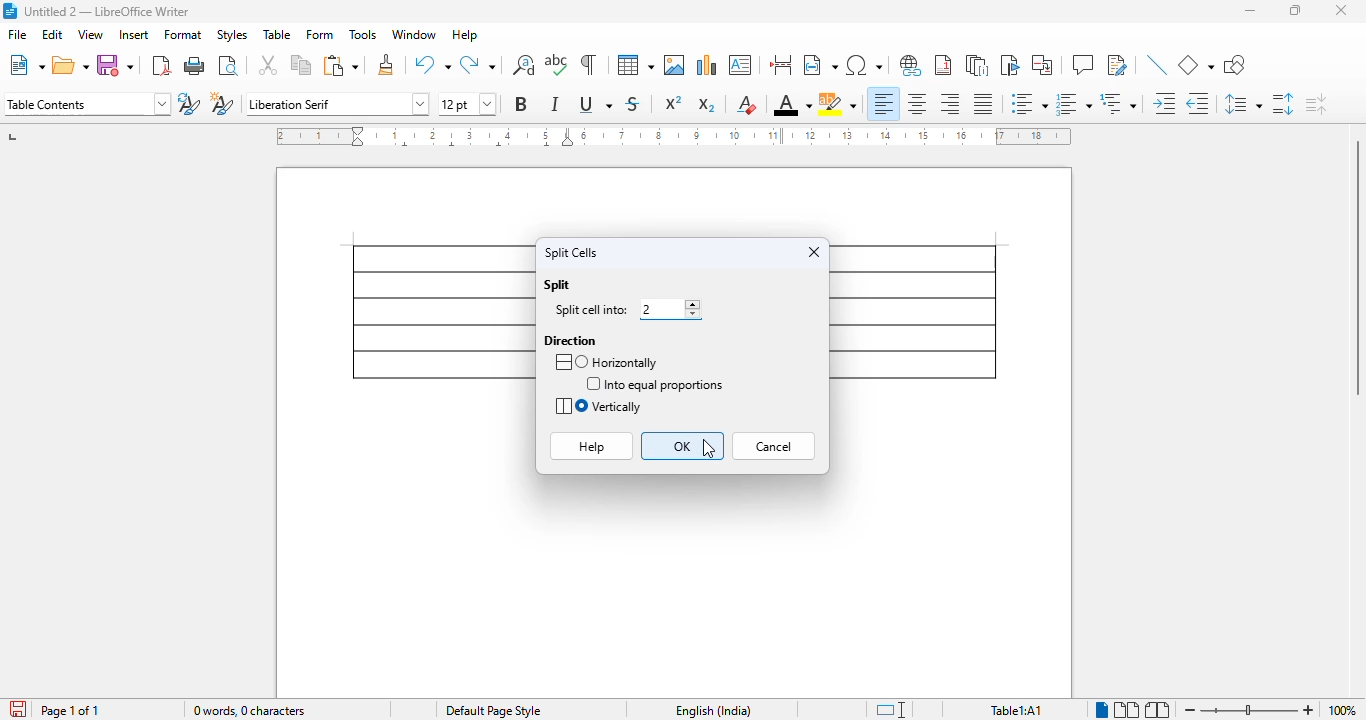  What do you see at coordinates (267, 65) in the screenshot?
I see `cut` at bounding box center [267, 65].